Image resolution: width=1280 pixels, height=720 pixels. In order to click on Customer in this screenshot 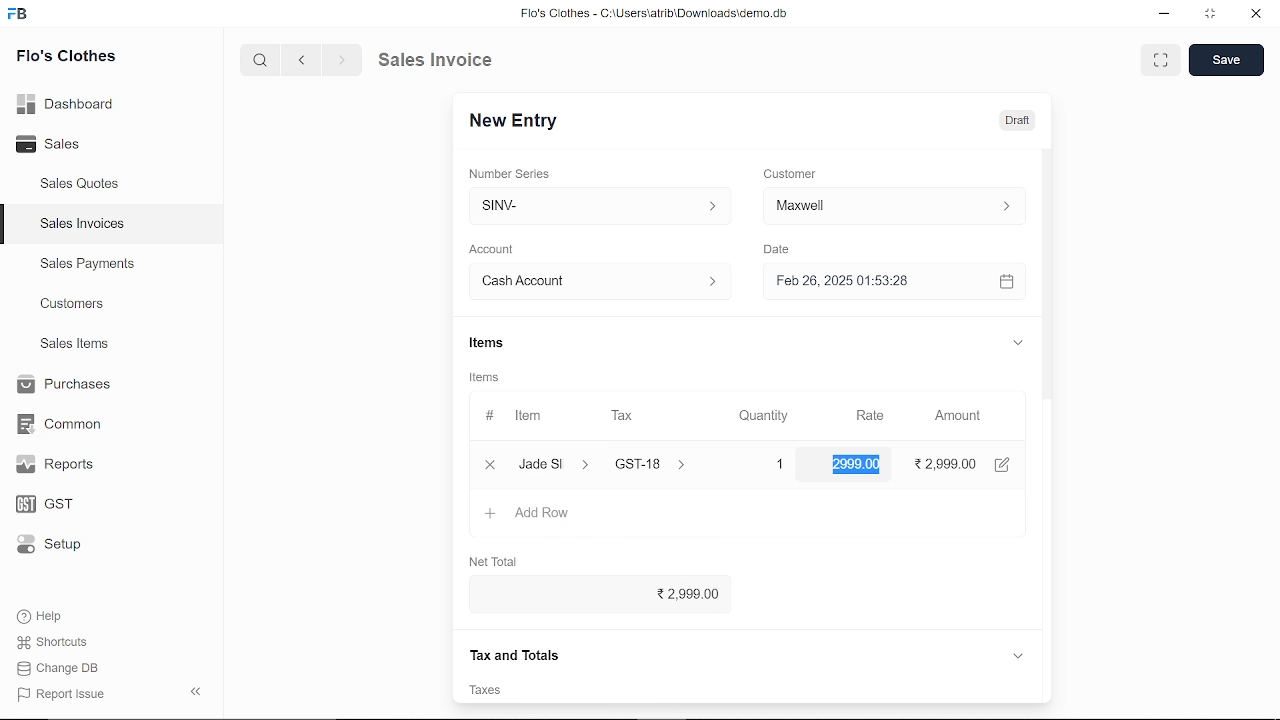, I will do `click(792, 173)`.